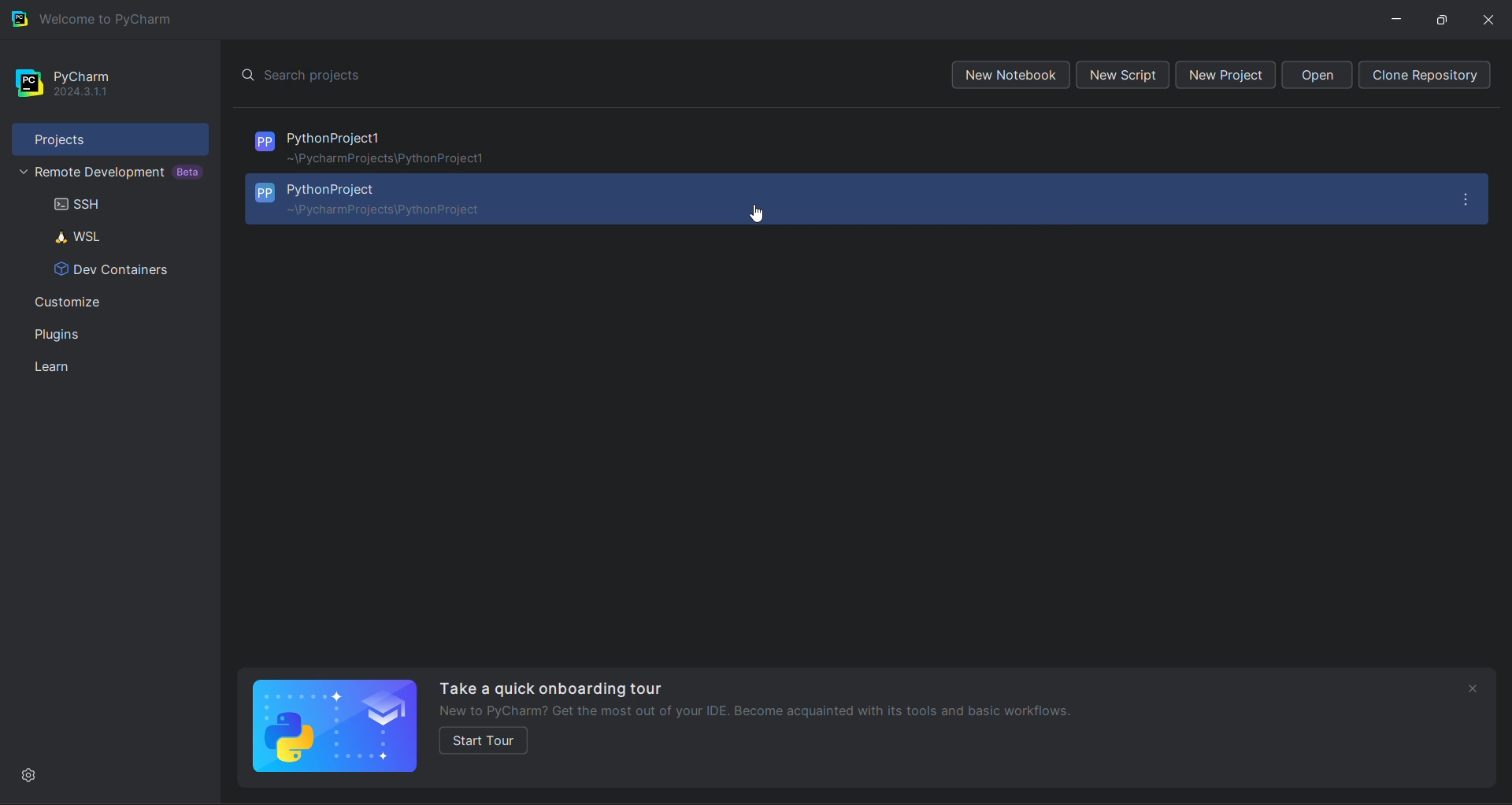 The width and height of the screenshot is (1512, 805). Describe the element at coordinates (1228, 75) in the screenshot. I see `new project` at that location.